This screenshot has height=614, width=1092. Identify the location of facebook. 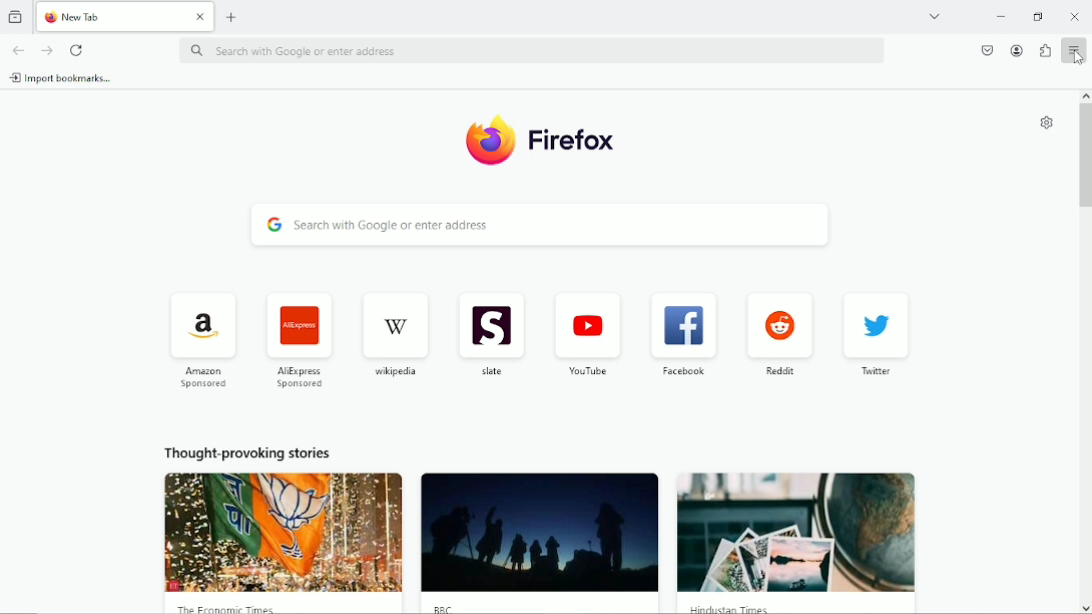
(685, 369).